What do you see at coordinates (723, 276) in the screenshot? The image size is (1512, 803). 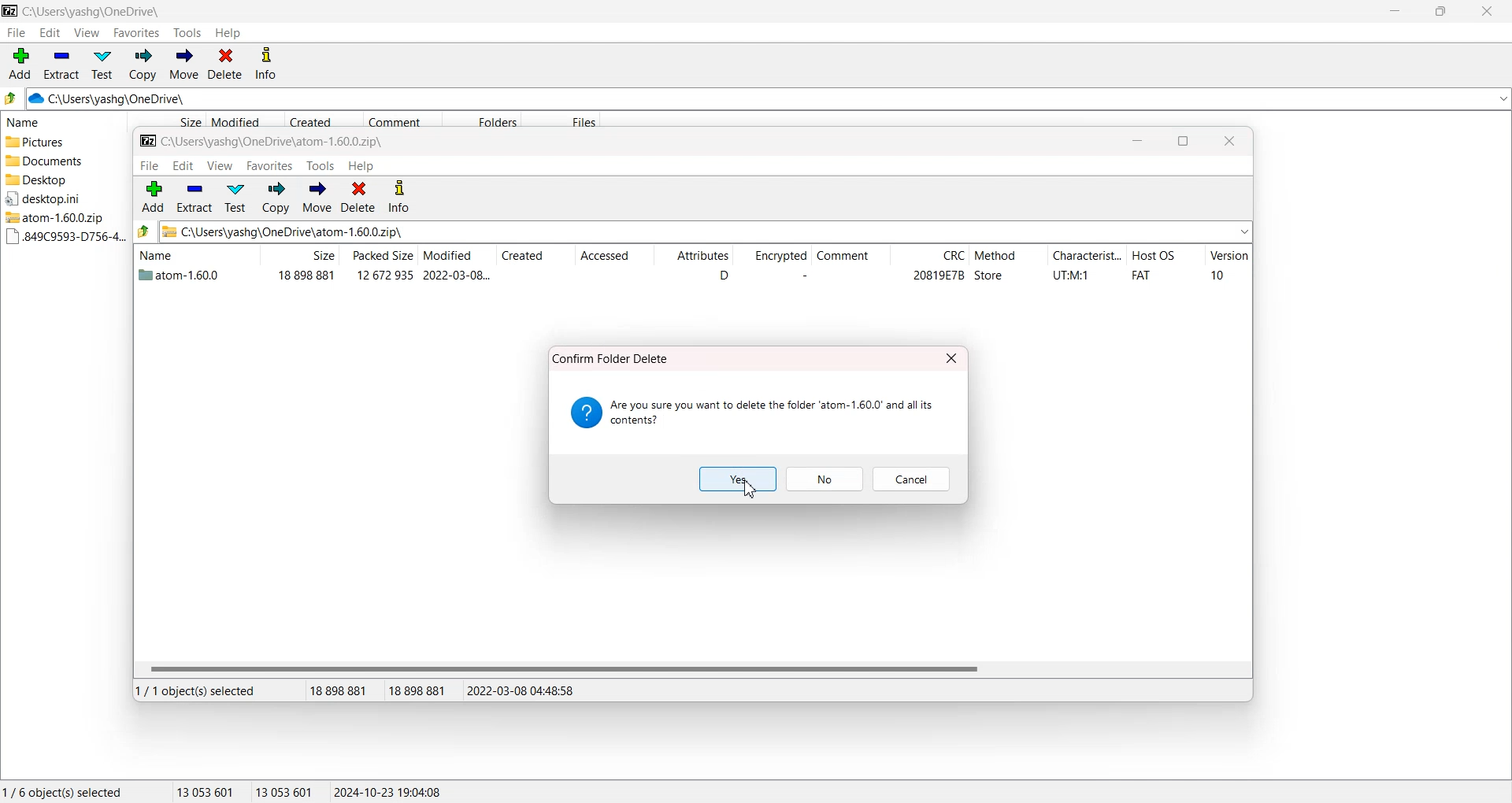 I see `D` at bounding box center [723, 276].